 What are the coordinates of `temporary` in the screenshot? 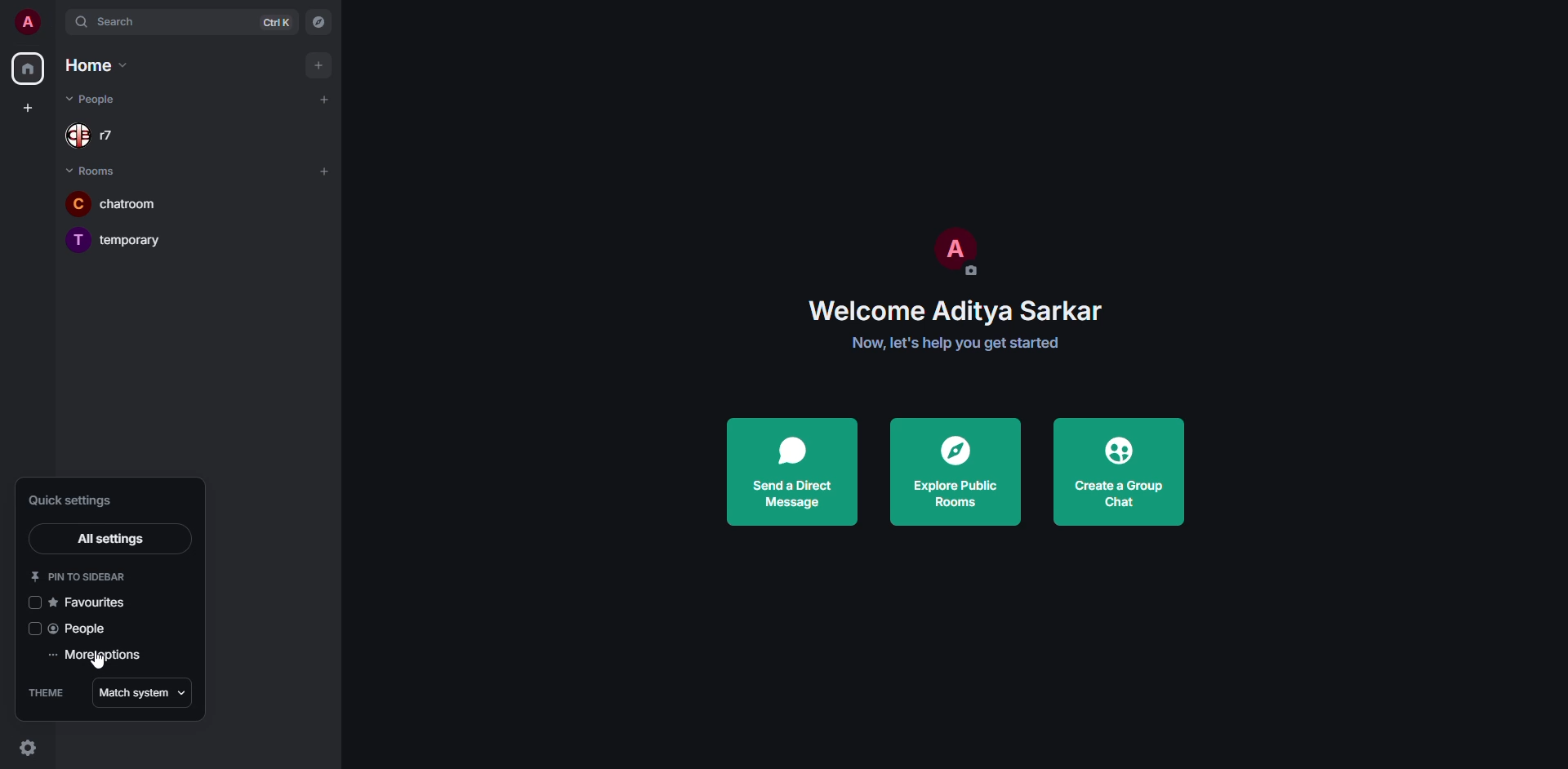 It's located at (114, 237).